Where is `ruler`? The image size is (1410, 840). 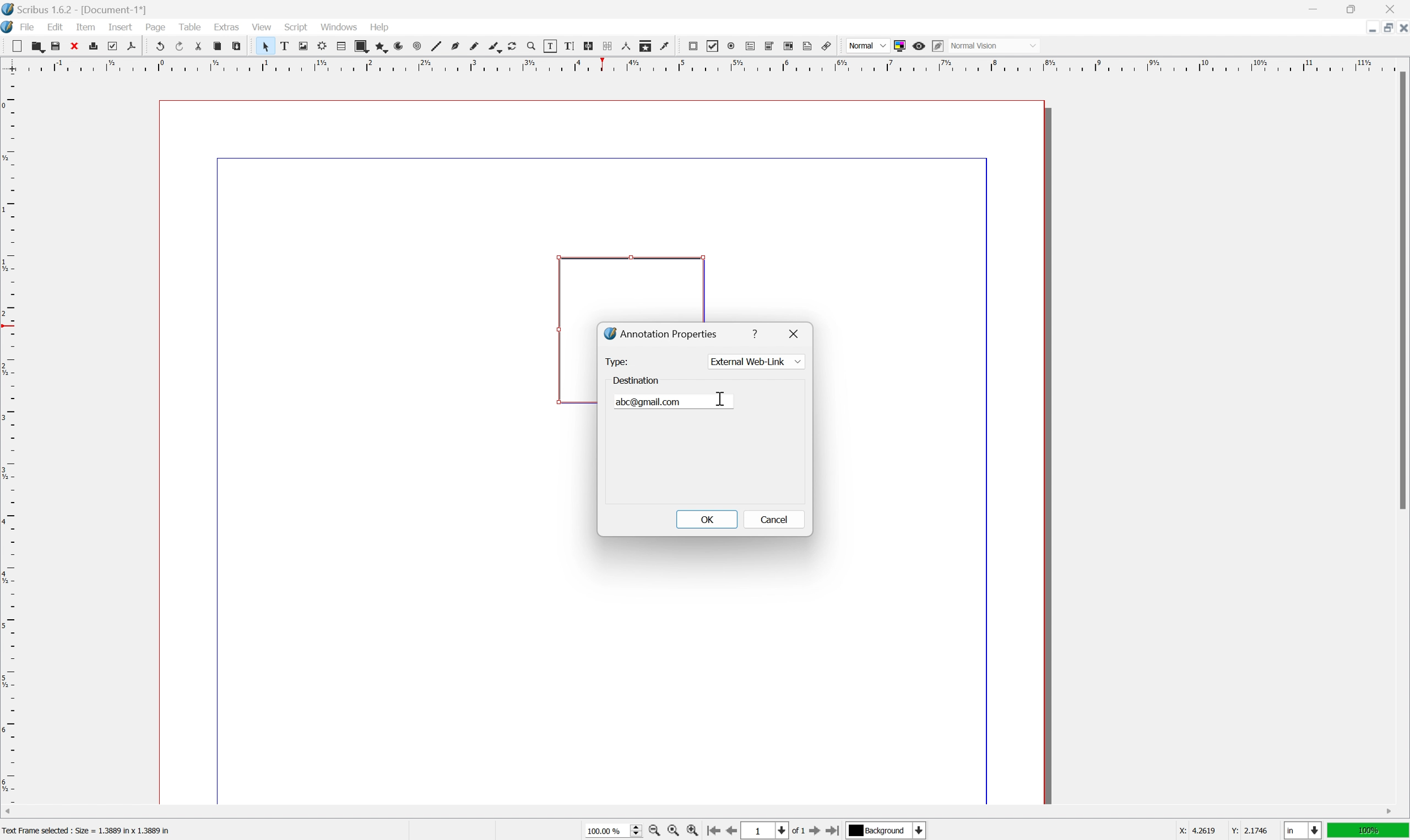 ruler is located at coordinates (9, 438).